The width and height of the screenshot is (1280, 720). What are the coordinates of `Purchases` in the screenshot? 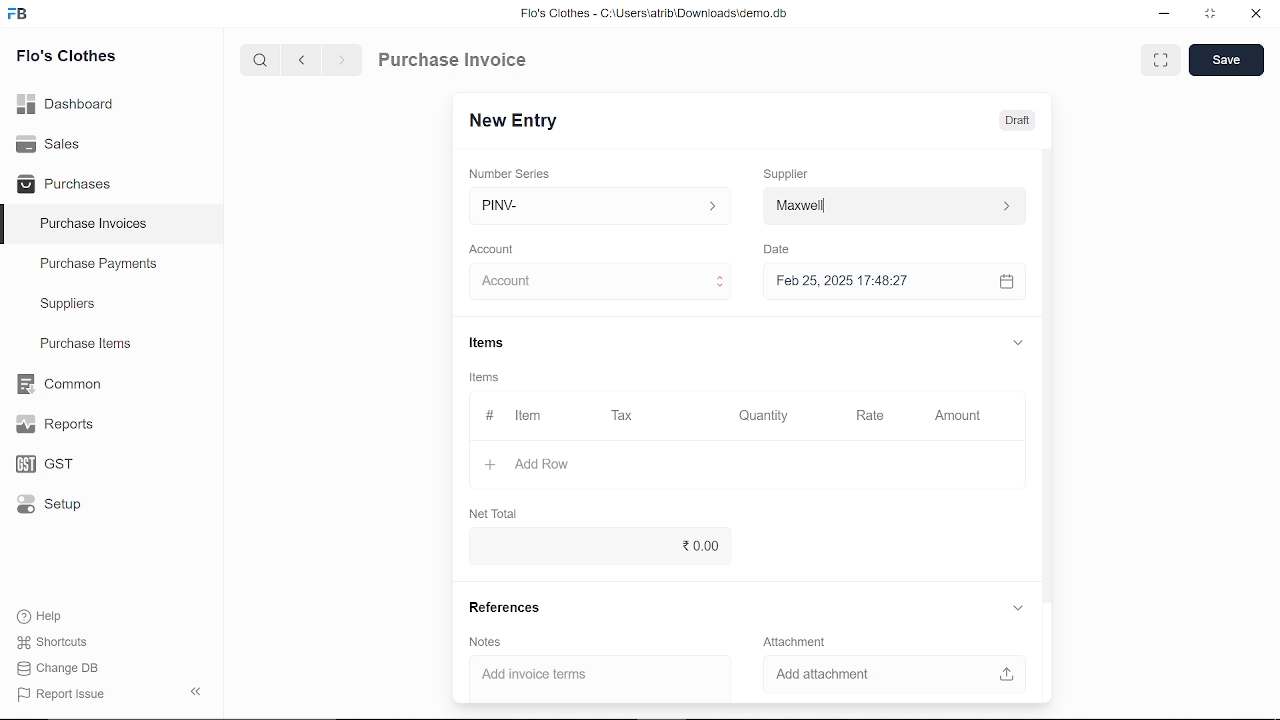 It's located at (64, 182).